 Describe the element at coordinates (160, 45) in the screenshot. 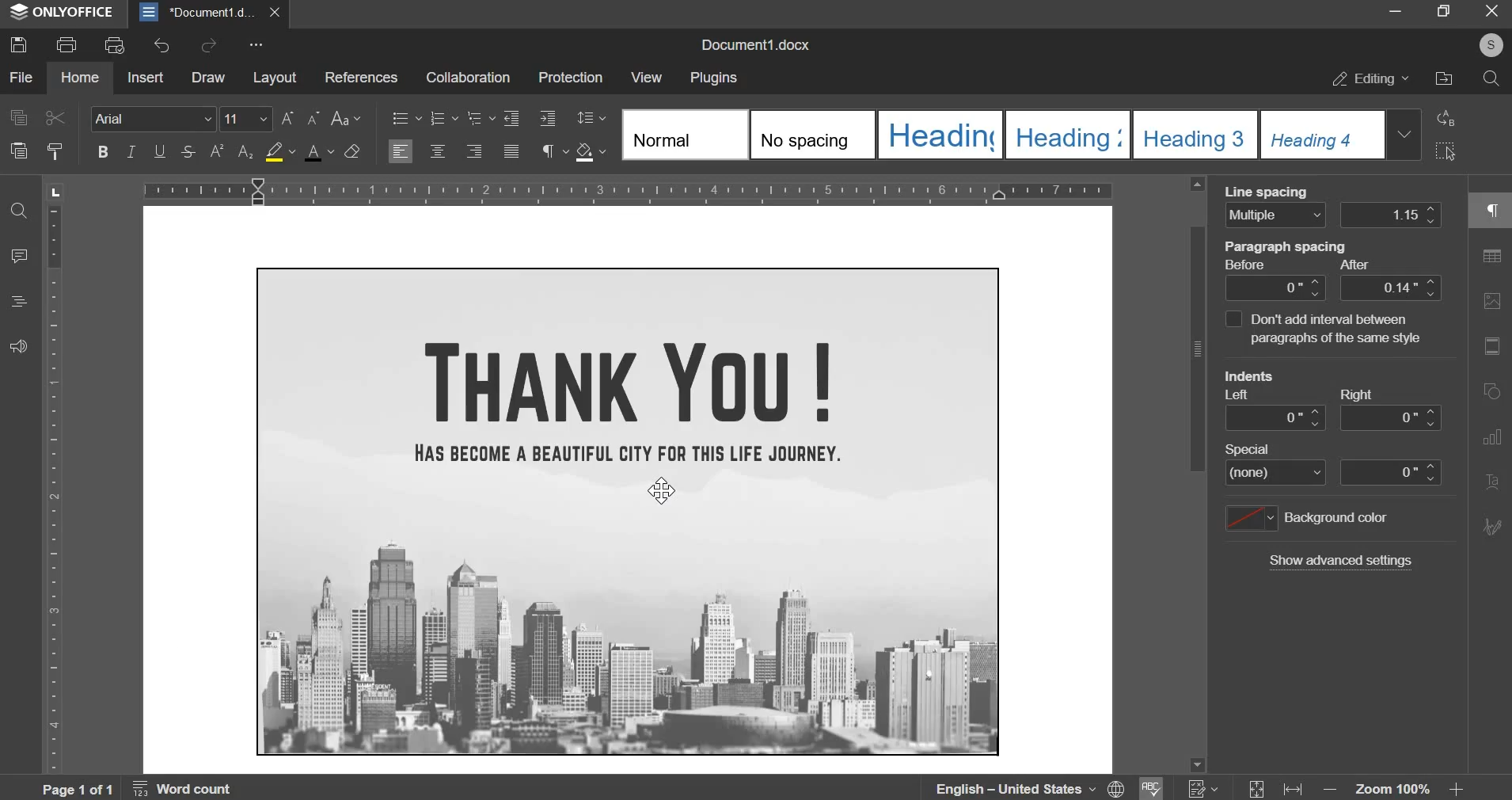

I see `undo` at that location.